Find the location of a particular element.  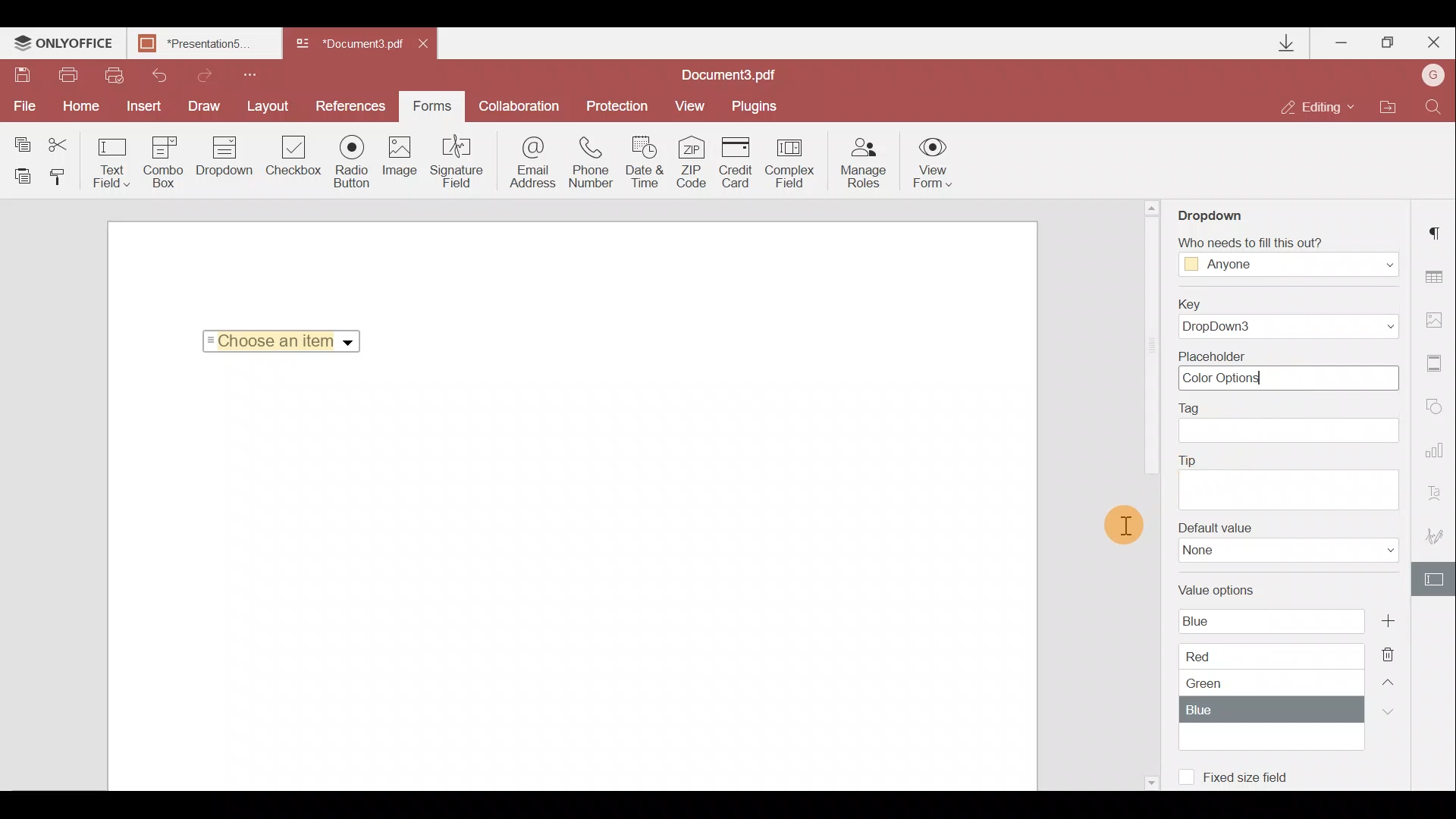

Scroll down is located at coordinates (1150, 780).